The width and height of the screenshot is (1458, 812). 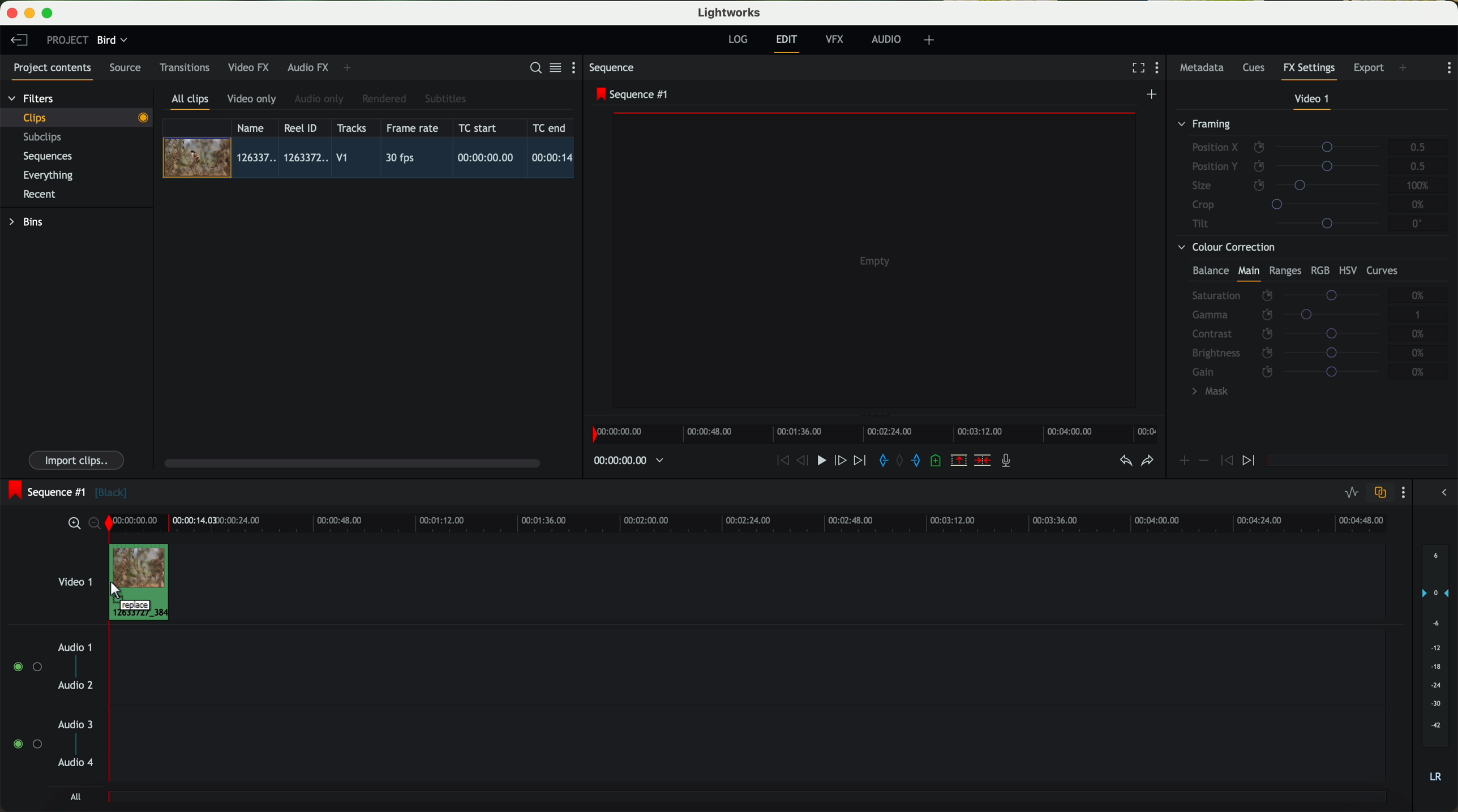 What do you see at coordinates (350, 68) in the screenshot?
I see `add panel` at bounding box center [350, 68].